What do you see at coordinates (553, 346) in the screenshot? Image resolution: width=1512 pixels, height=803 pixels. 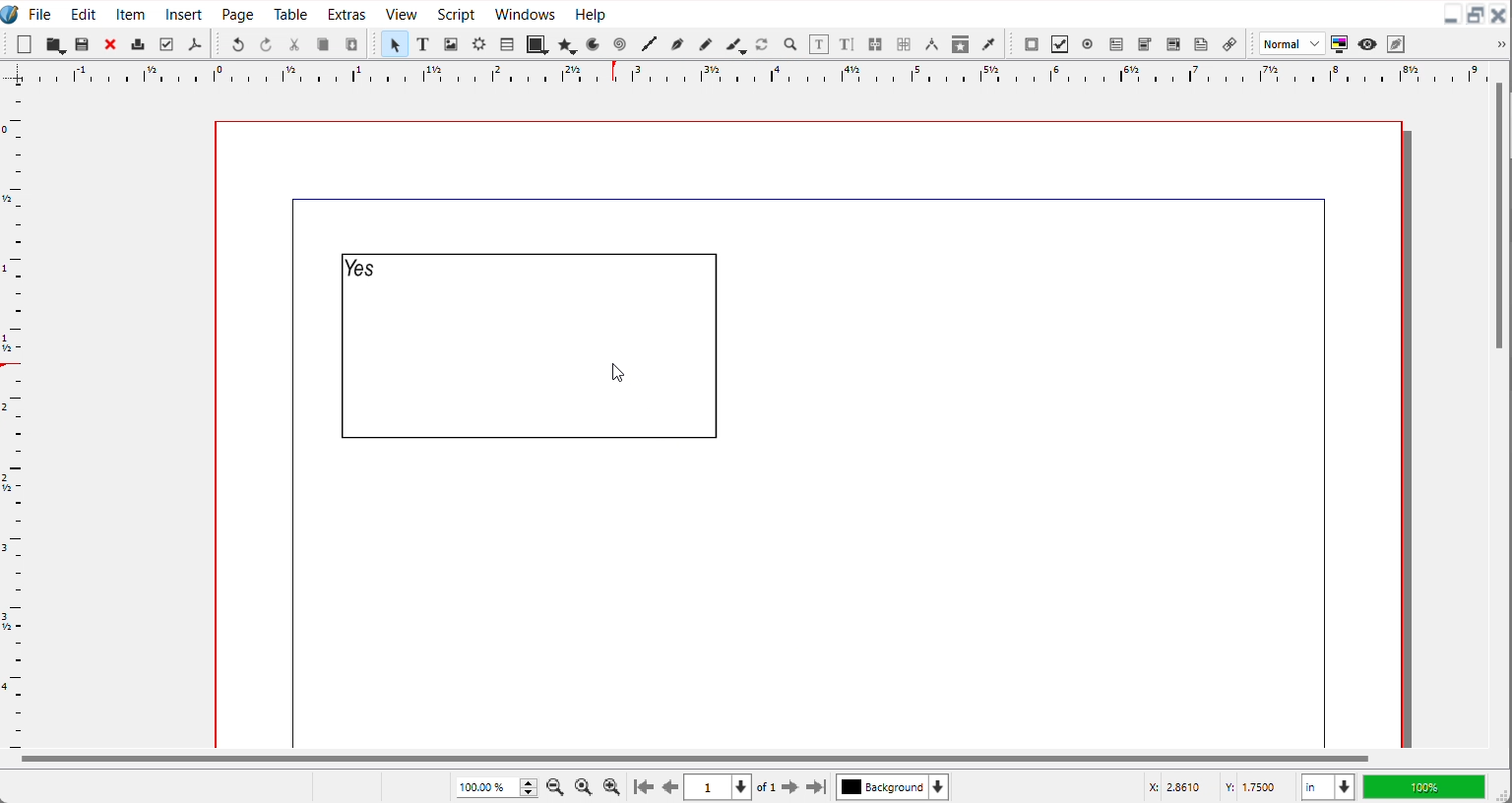 I see `Text Frame` at bounding box center [553, 346].